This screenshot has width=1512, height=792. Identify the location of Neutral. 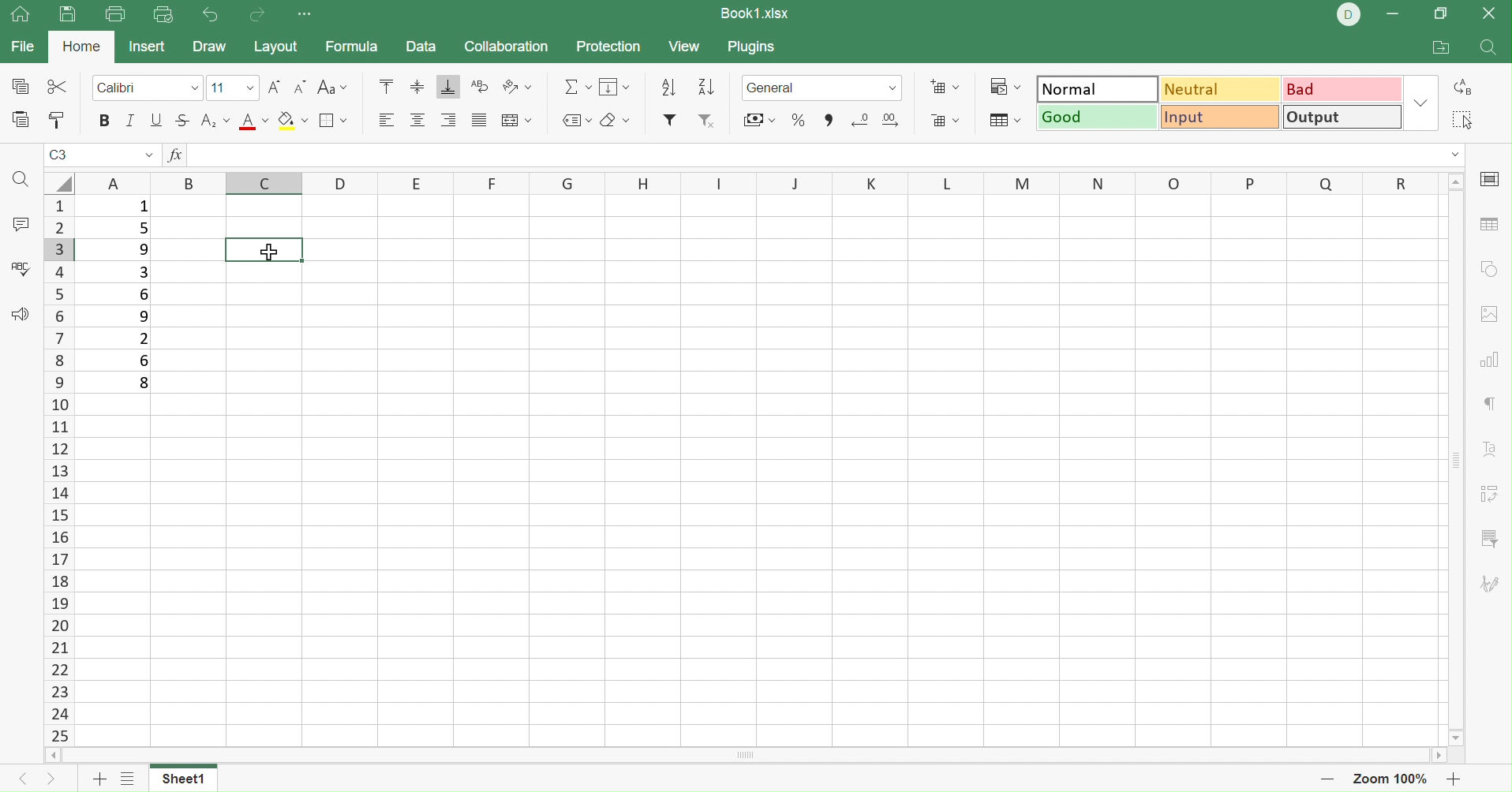
(1223, 88).